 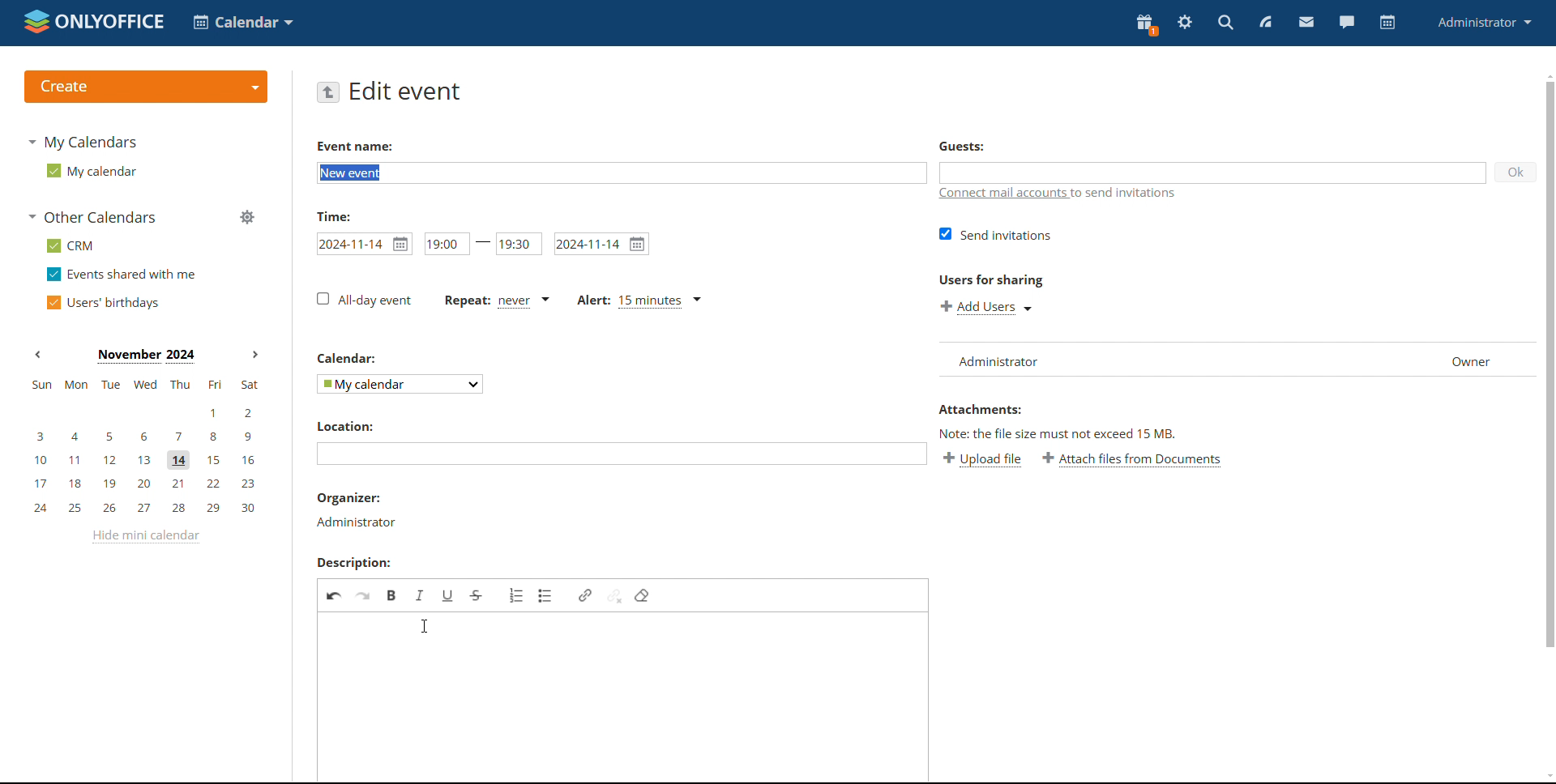 I want to click on text, so click(x=1075, y=432).